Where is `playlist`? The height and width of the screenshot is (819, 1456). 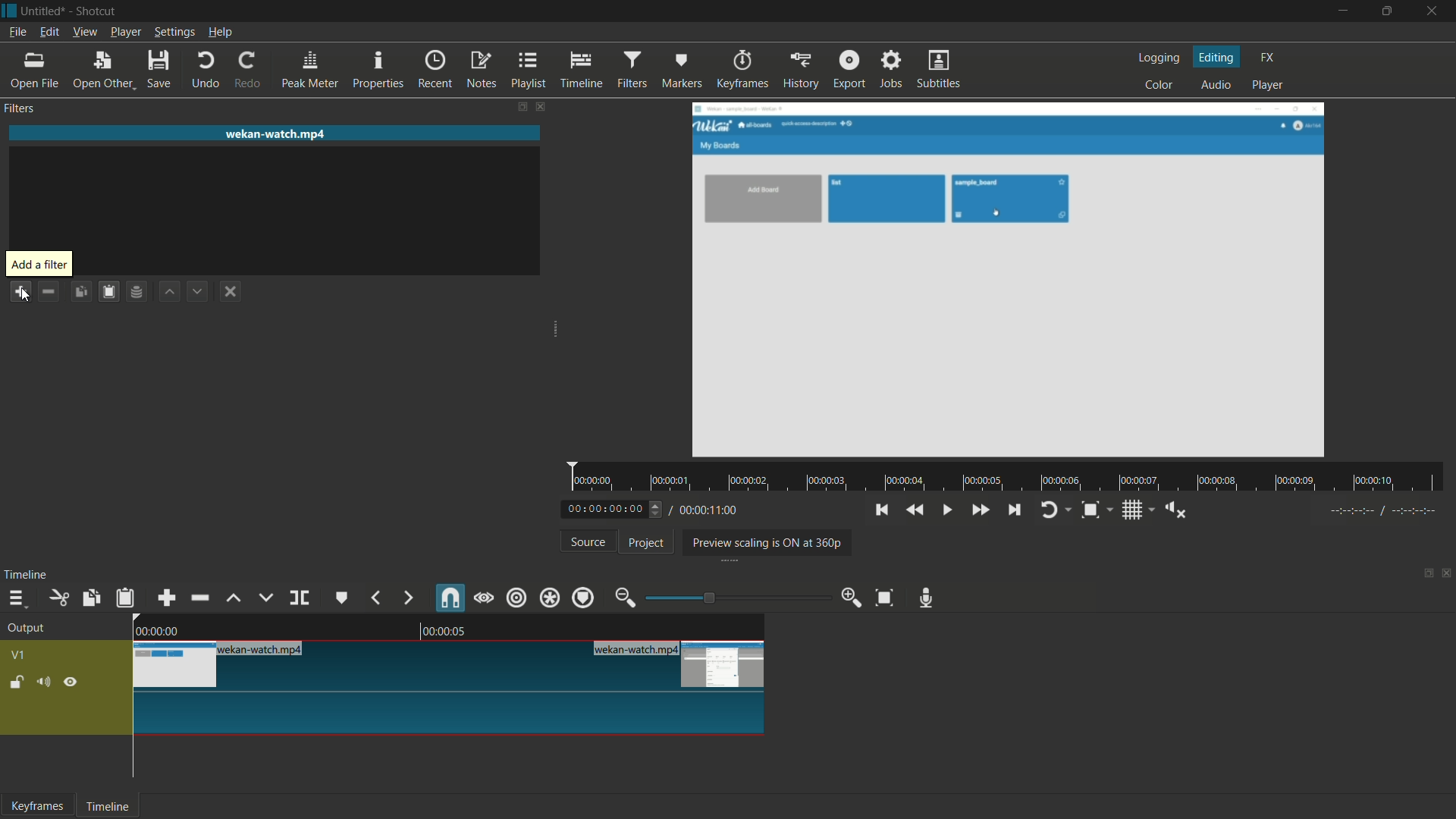
playlist is located at coordinates (529, 71).